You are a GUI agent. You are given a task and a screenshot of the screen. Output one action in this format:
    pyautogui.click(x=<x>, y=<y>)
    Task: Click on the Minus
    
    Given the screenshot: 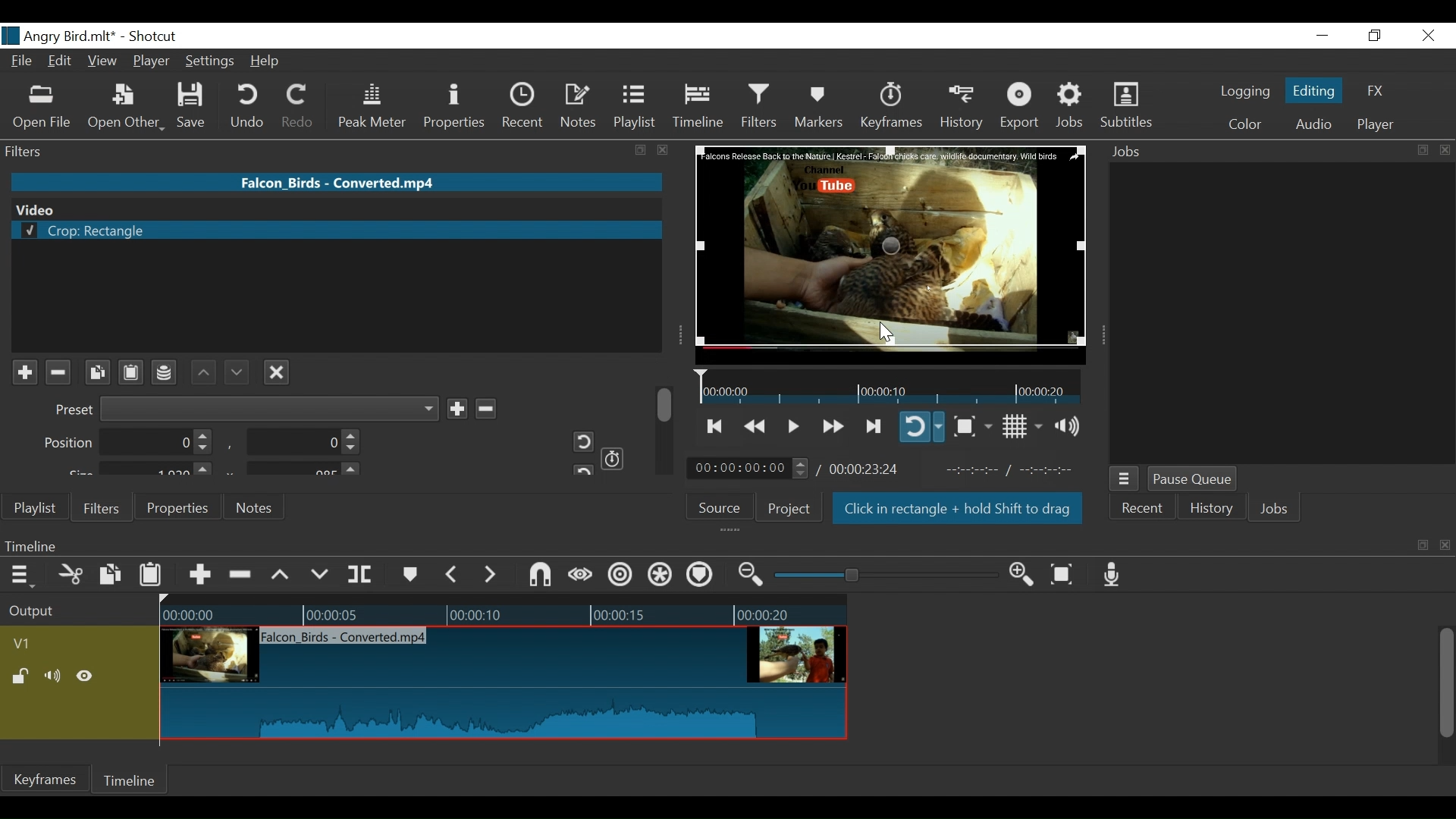 What is the action you would take?
    pyautogui.click(x=57, y=372)
    